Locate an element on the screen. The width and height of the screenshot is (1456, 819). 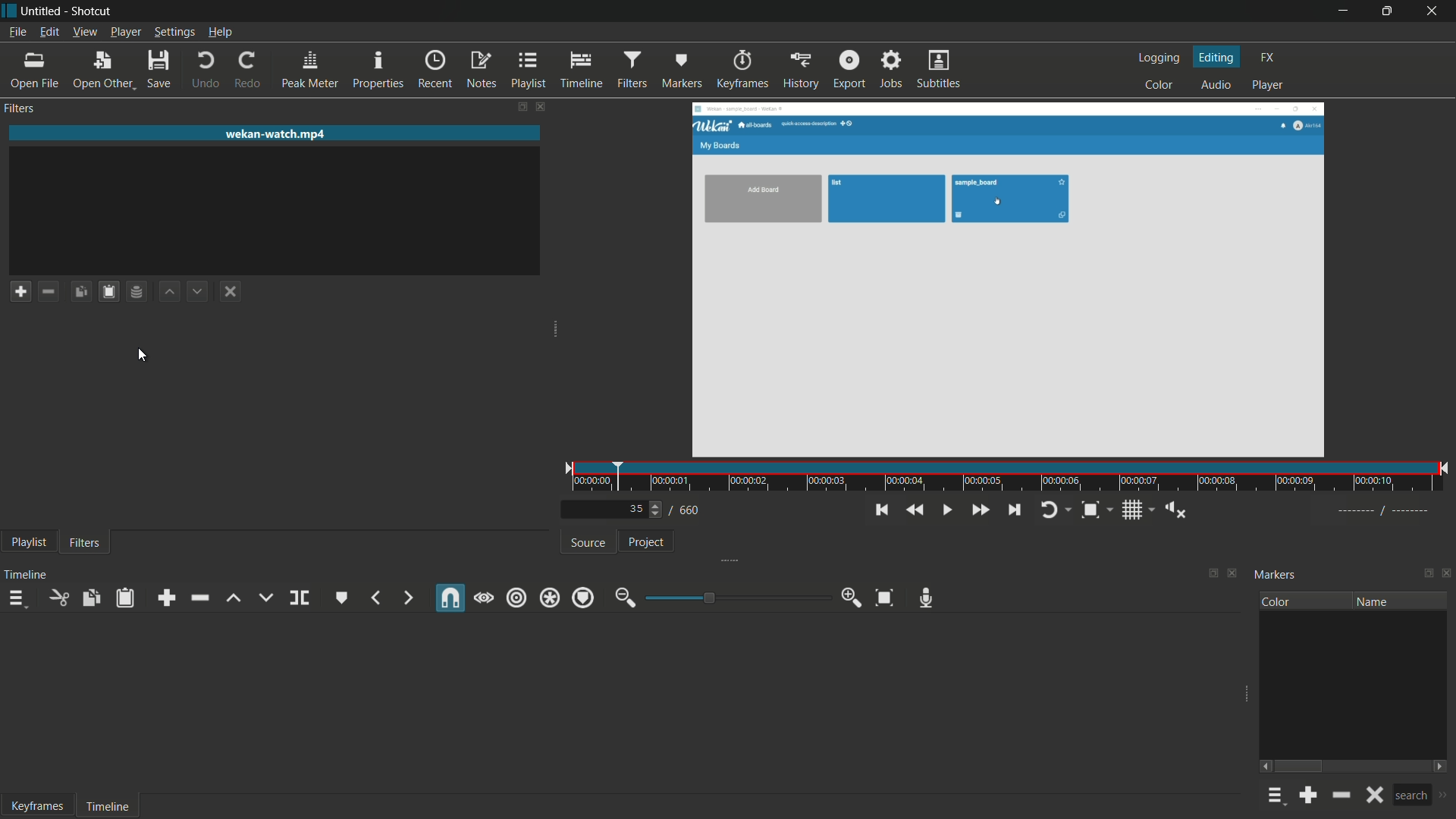
timeline menu is located at coordinates (16, 599).